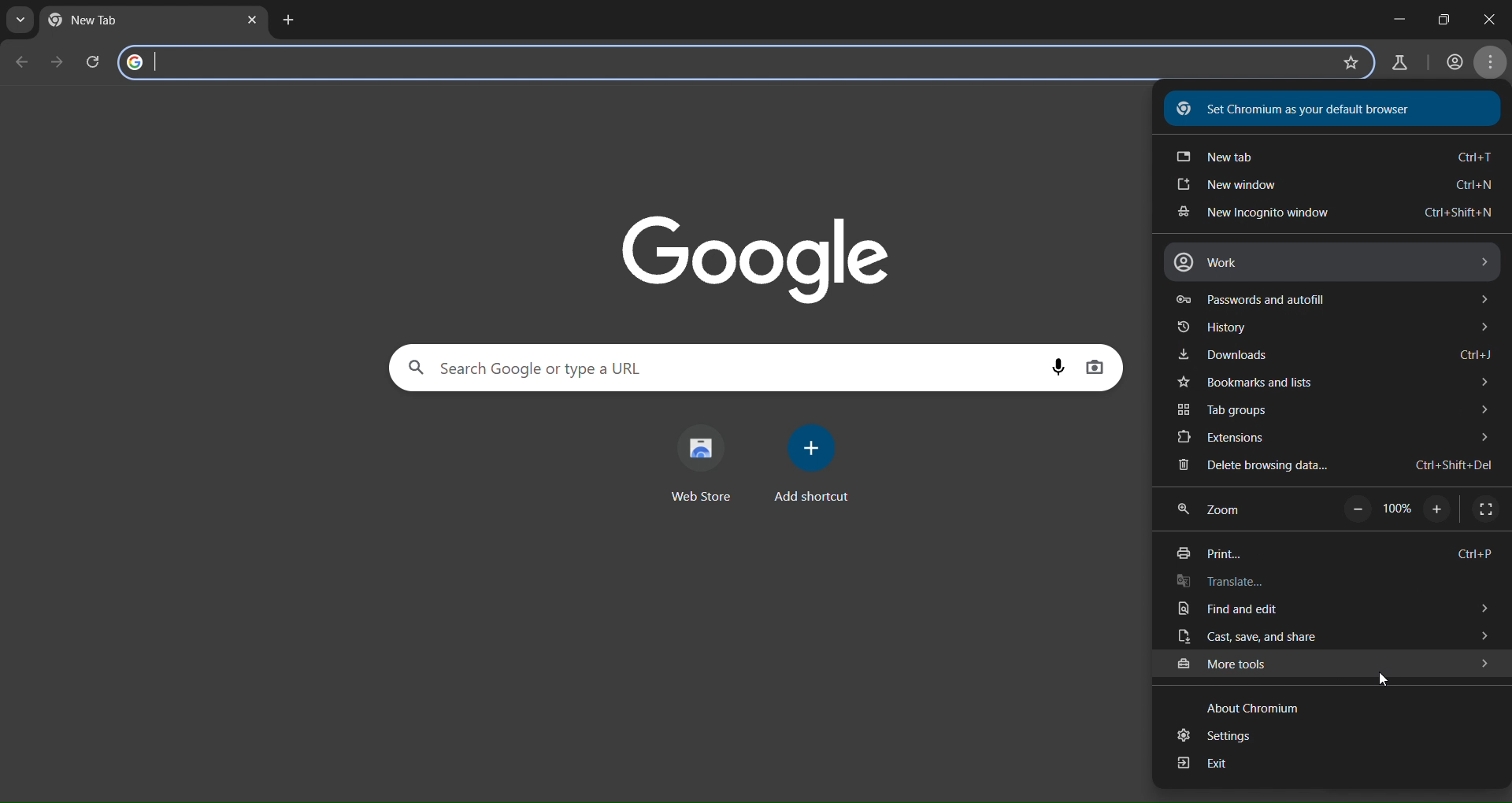  What do you see at coordinates (1221, 736) in the screenshot?
I see `settings` at bounding box center [1221, 736].